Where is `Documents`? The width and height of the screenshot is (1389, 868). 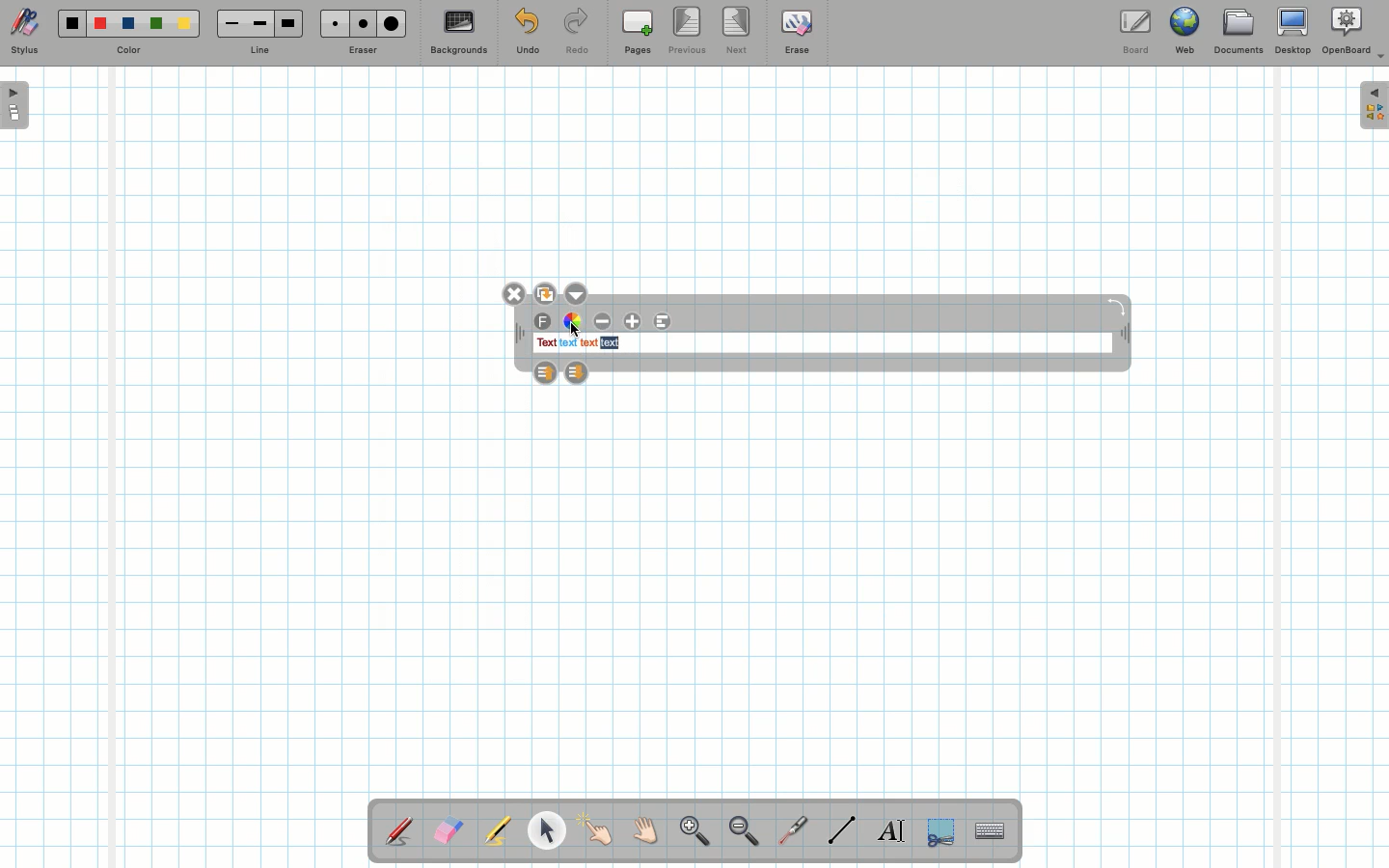 Documents is located at coordinates (1238, 34).